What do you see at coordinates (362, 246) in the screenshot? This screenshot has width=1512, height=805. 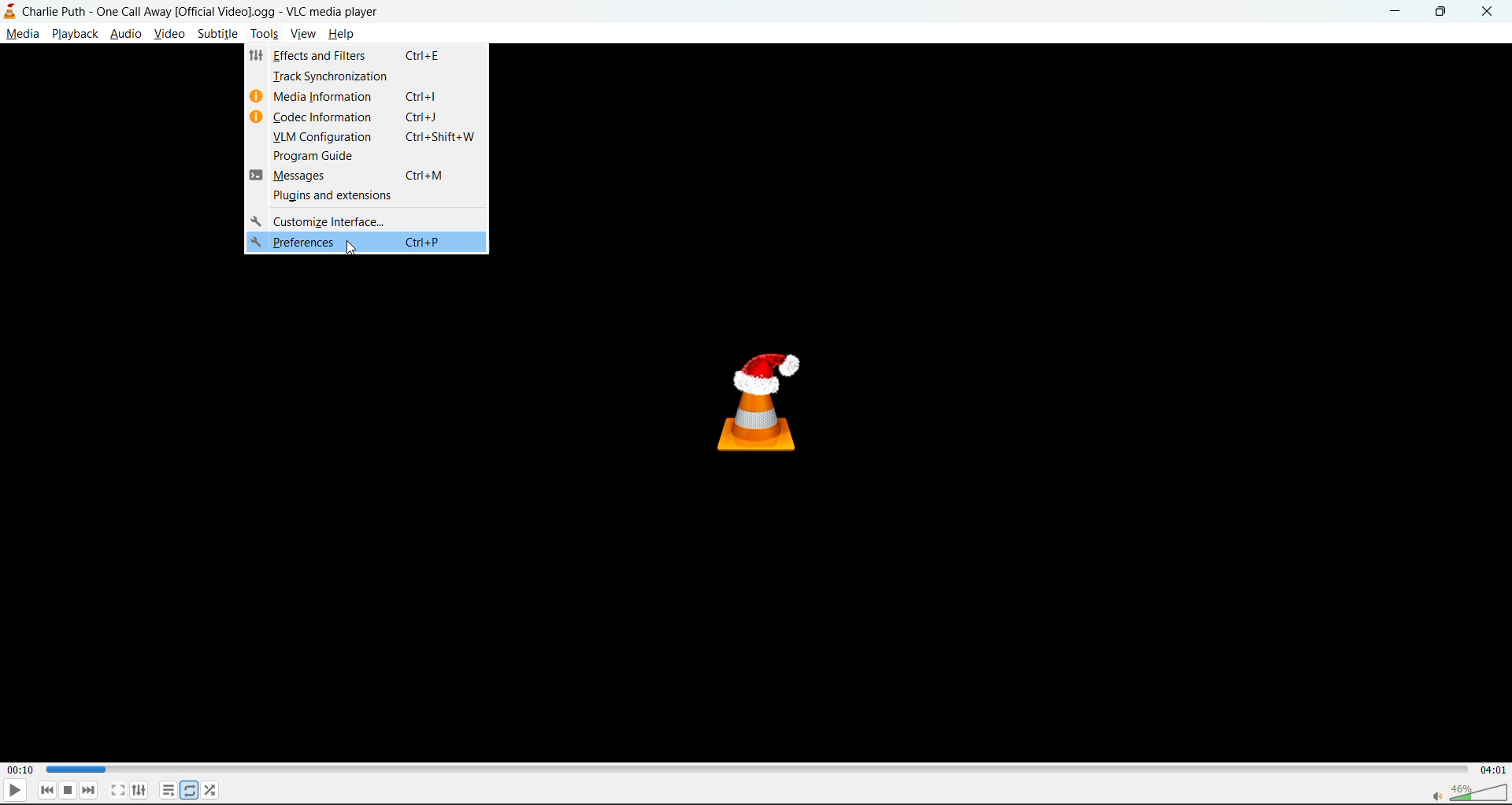 I see `preferences` at bounding box center [362, 246].